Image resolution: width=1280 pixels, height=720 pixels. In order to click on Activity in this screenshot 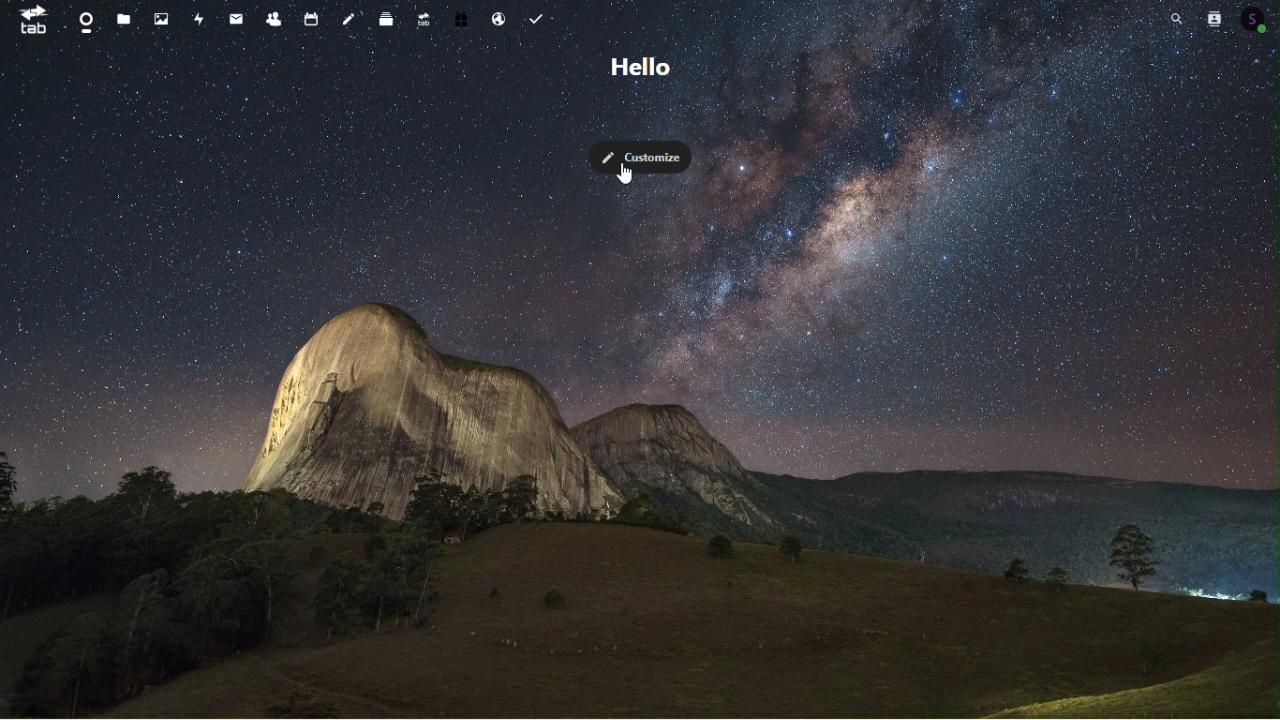, I will do `click(200, 19)`.